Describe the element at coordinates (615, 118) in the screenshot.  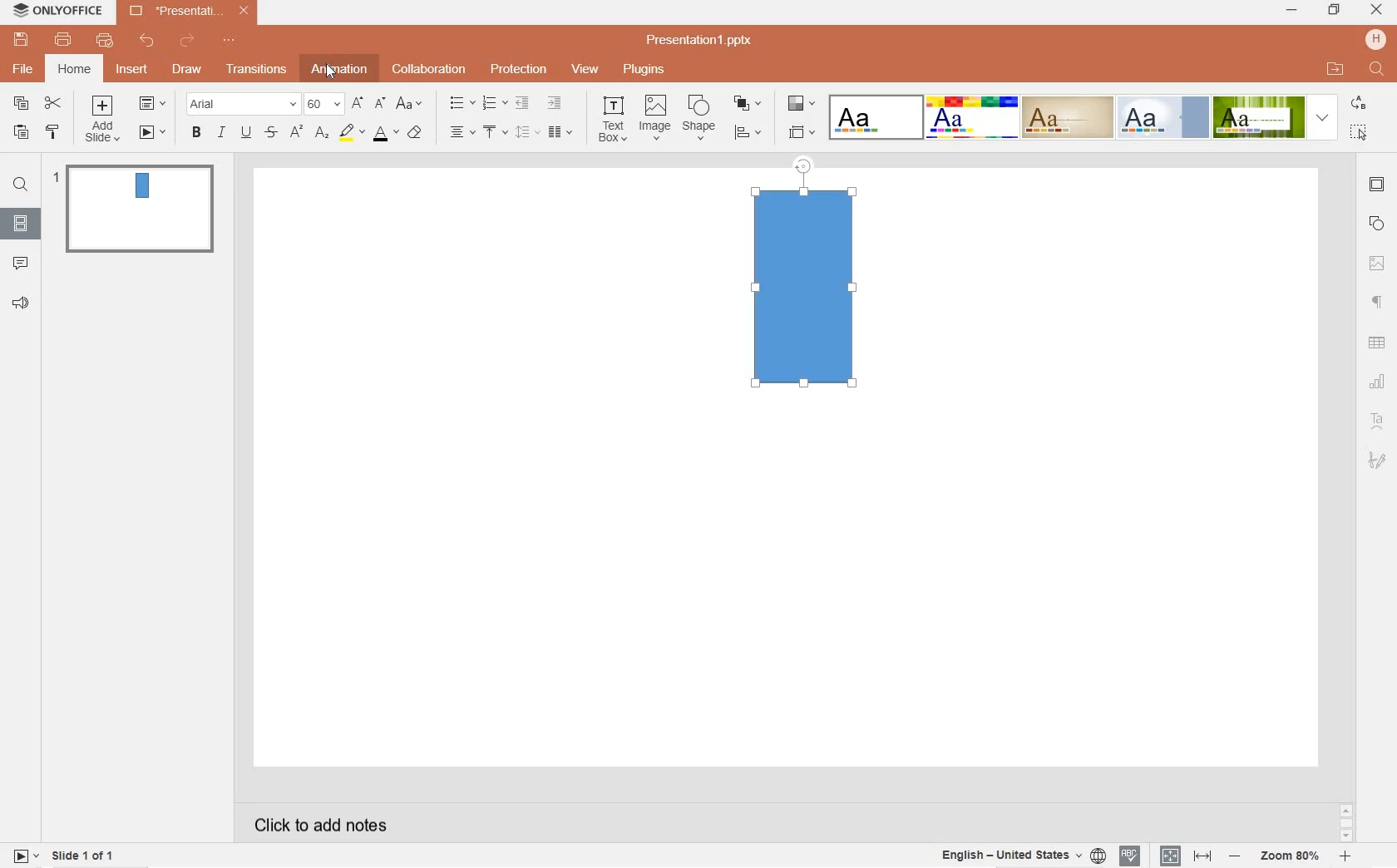
I see `text box` at that location.